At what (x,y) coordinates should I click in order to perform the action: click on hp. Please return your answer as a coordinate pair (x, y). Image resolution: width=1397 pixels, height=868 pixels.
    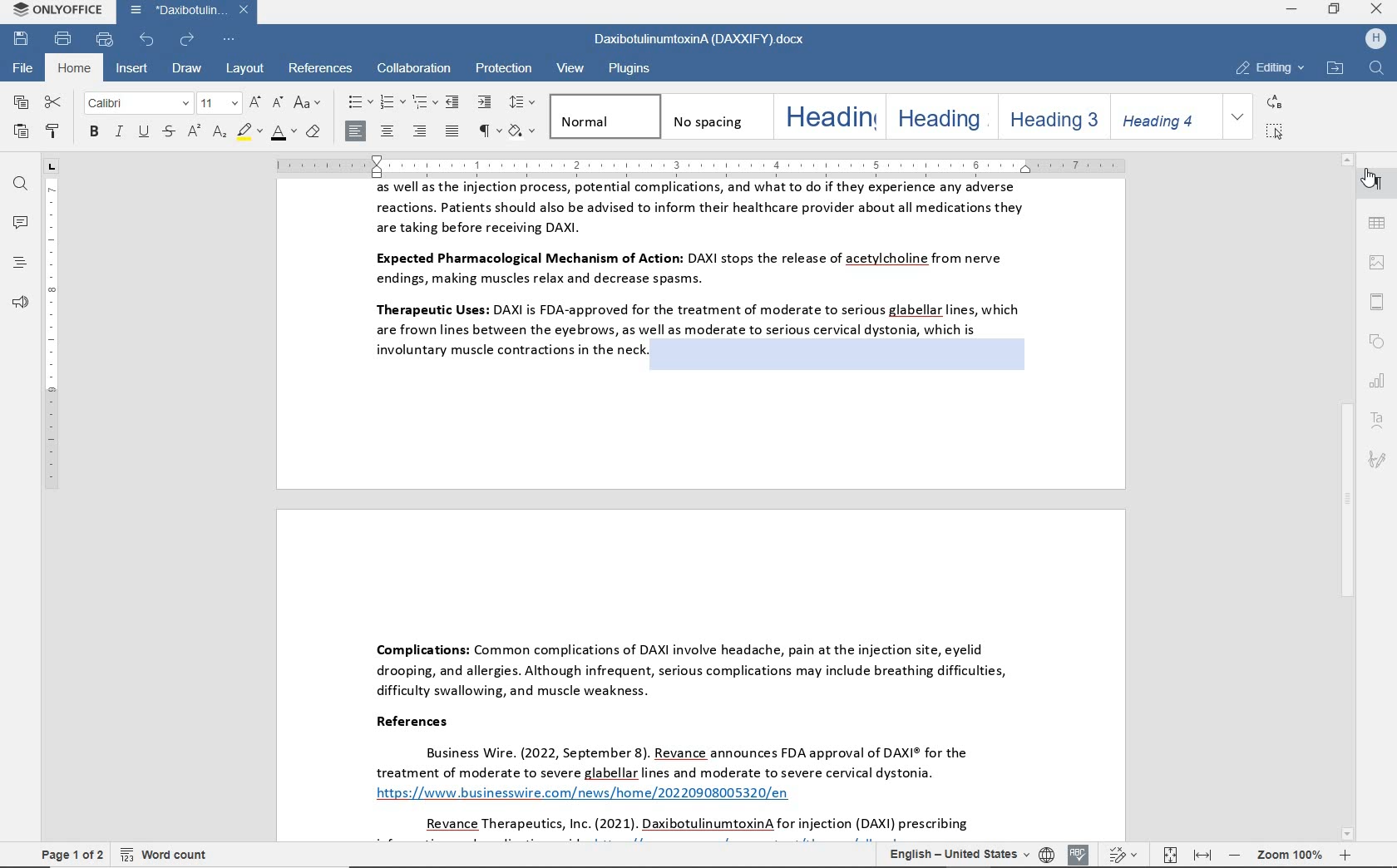
    Looking at the image, I should click on (1372, 40).